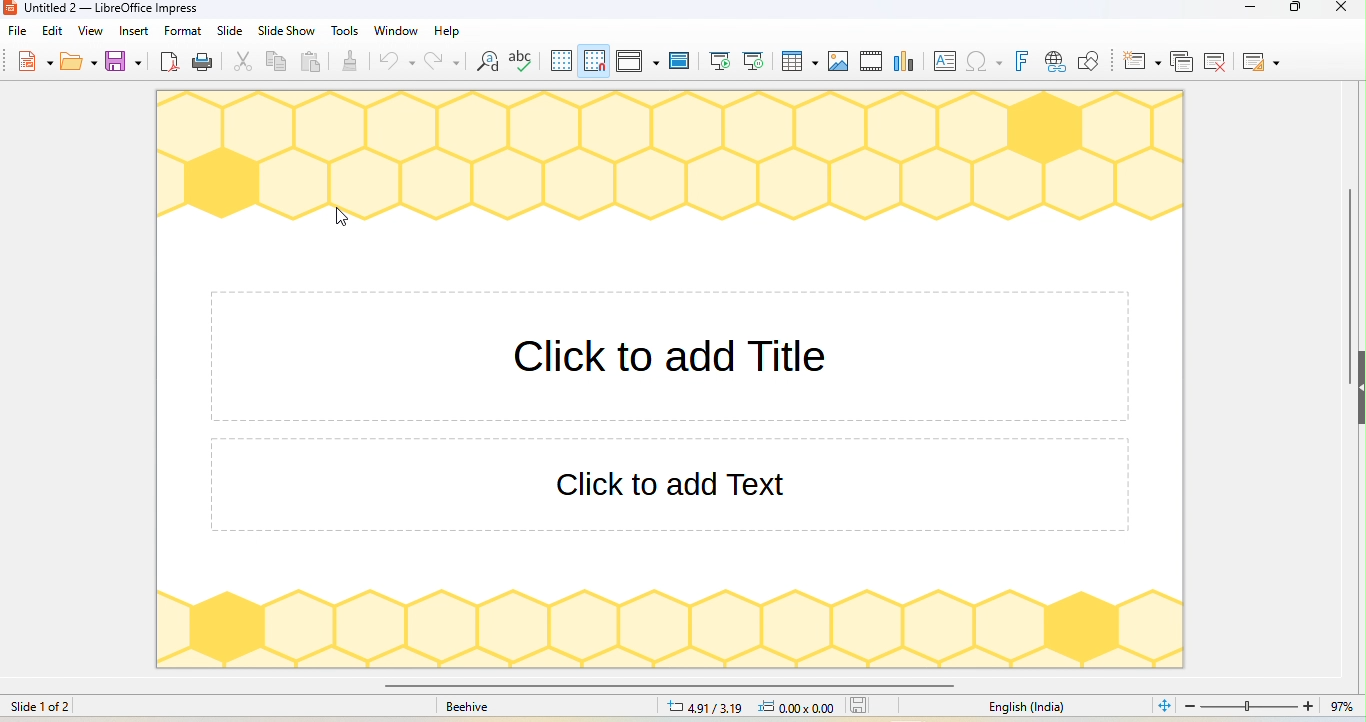  What do you see at coordinates (872, 61) in the screenshot?
I see `insert audio/video` at bounding box center [872, 61].